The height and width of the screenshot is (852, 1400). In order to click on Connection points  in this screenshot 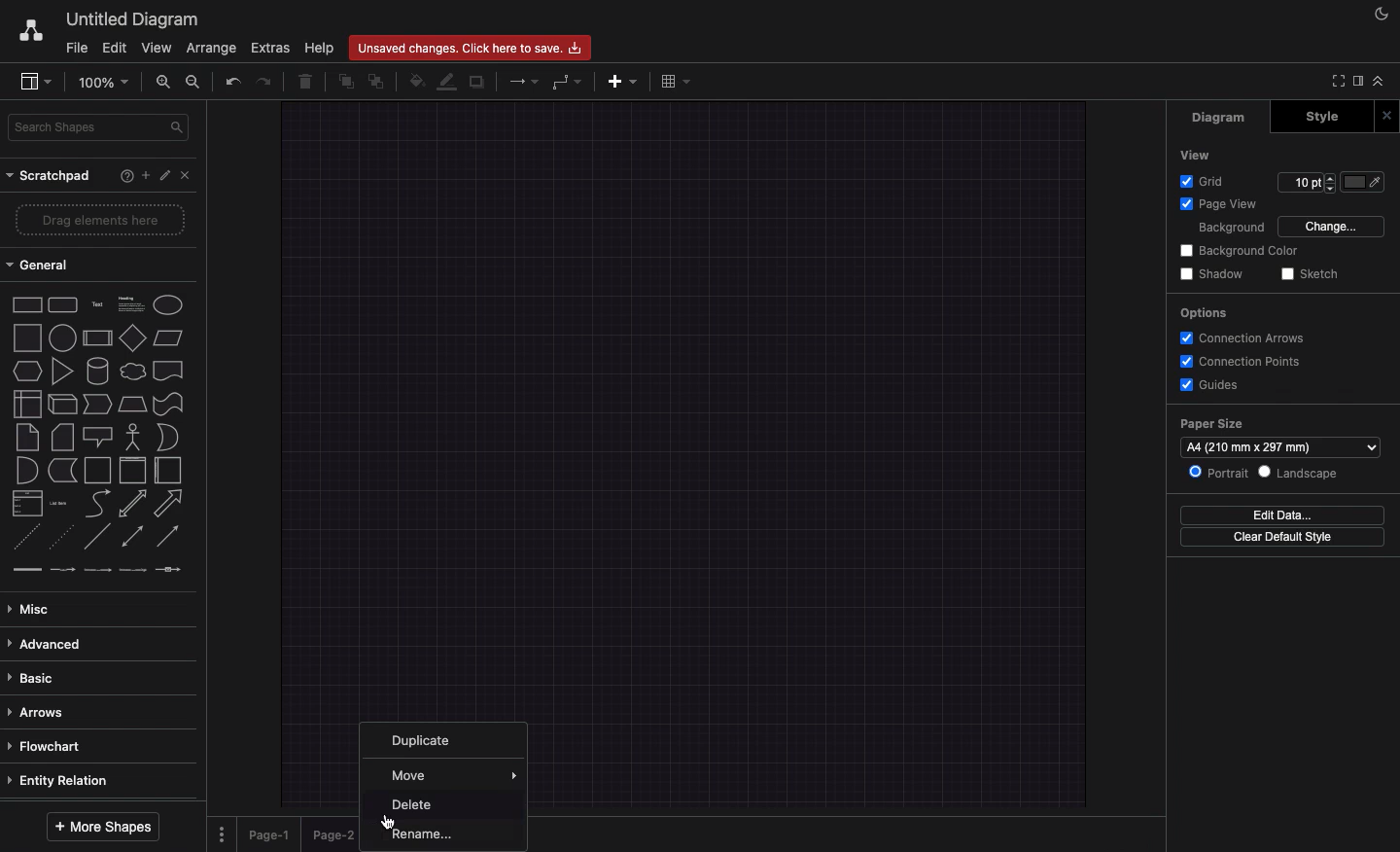, I will do `click(1242, 362)`.